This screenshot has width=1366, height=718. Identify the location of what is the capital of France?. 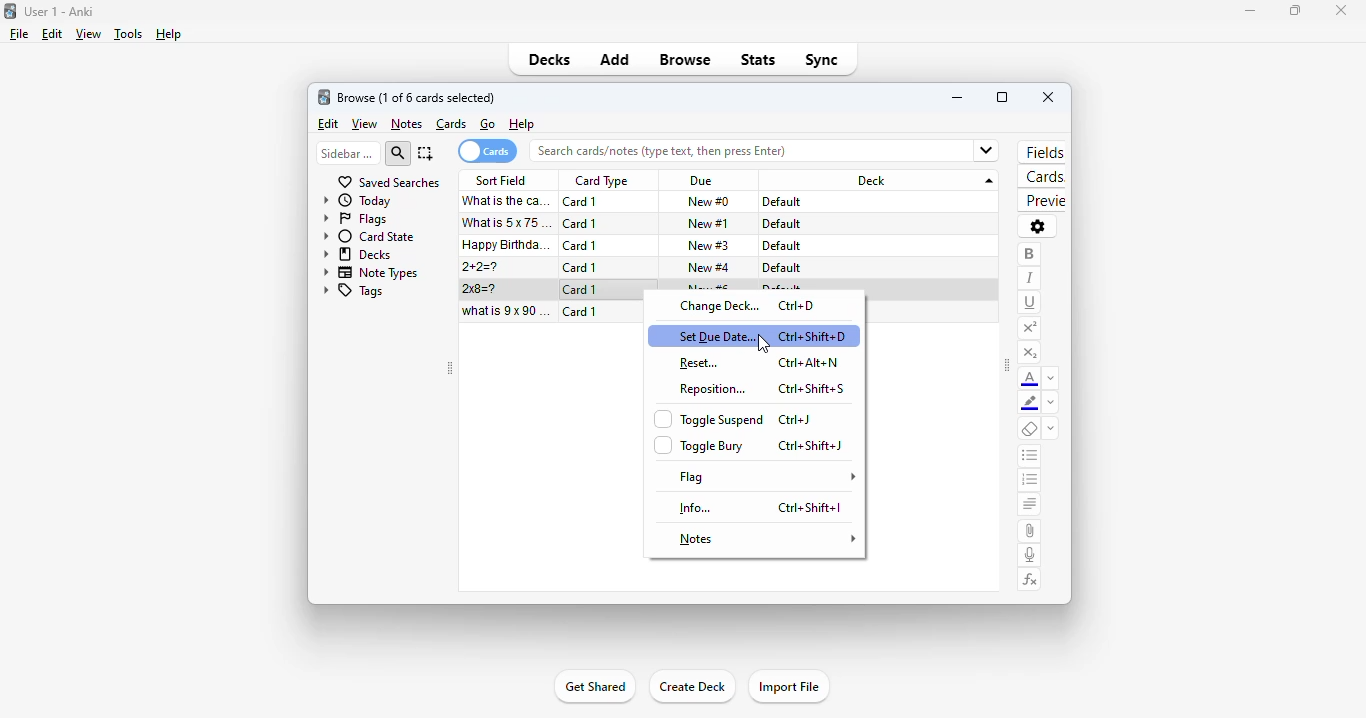
(506, 201).